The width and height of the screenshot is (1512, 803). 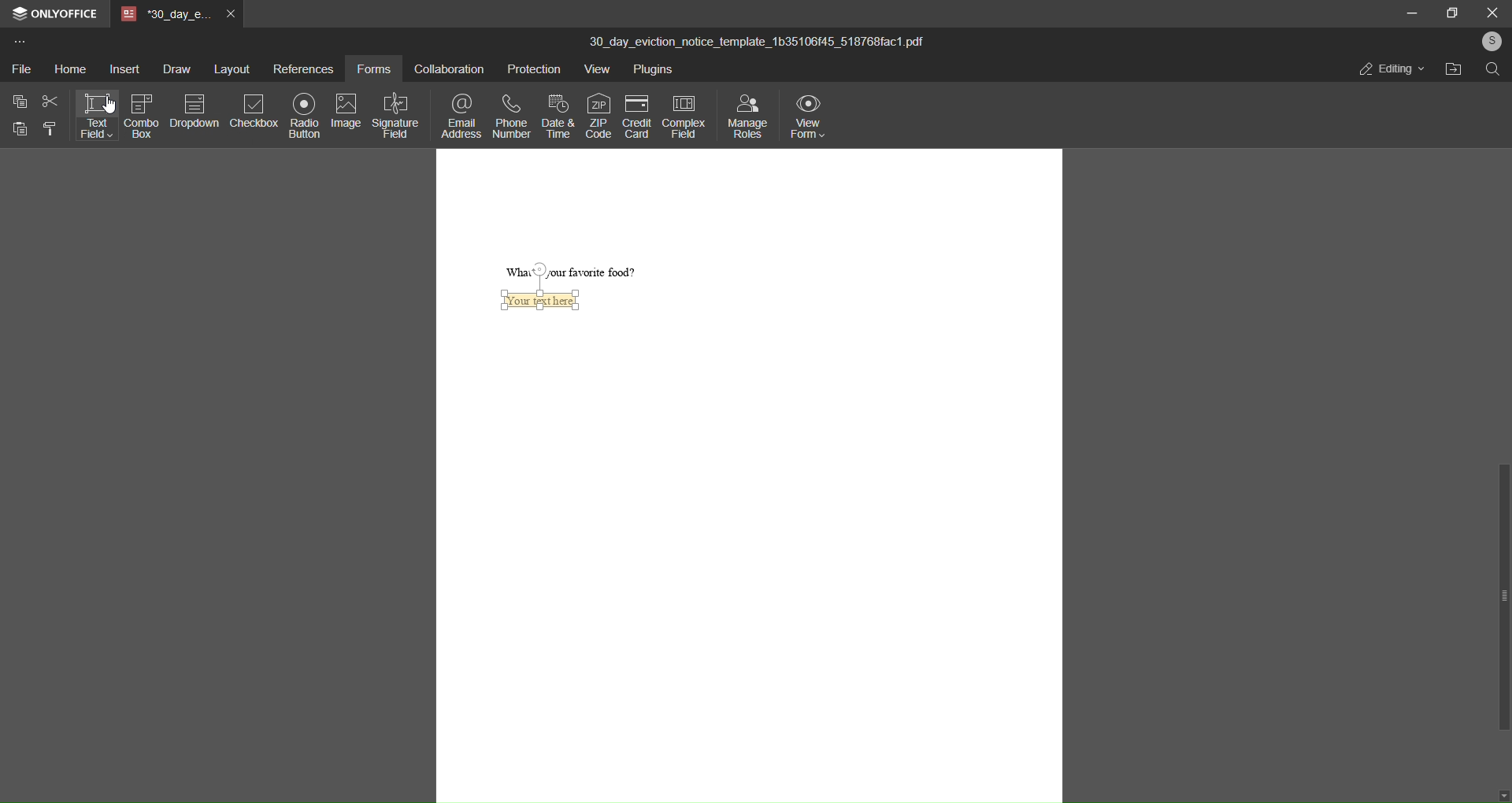 What do you see at coordinates (69, 70) in the screenshot?
I see `home` at bounding box center [69, 70].